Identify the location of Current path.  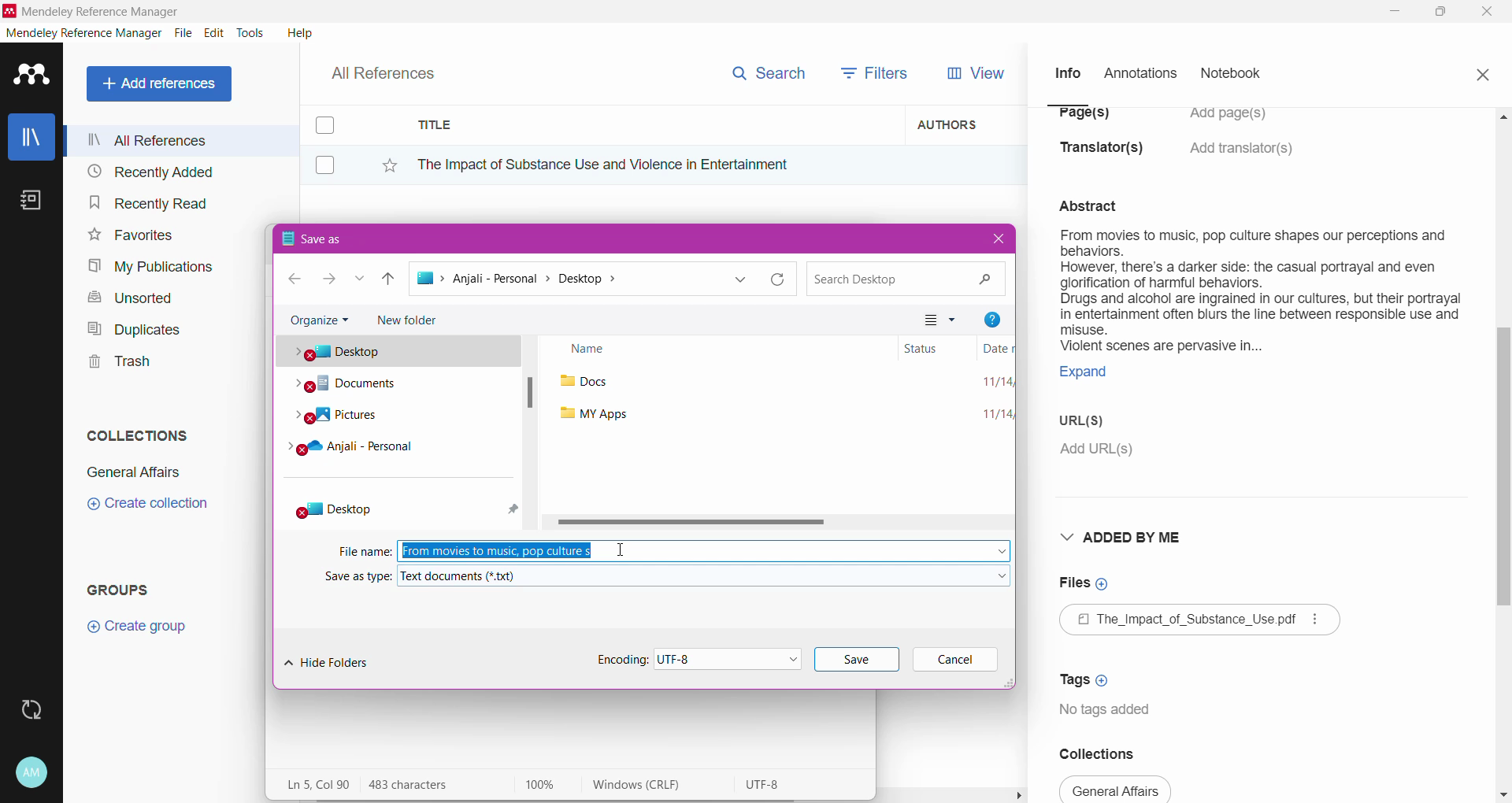
(565, 280).